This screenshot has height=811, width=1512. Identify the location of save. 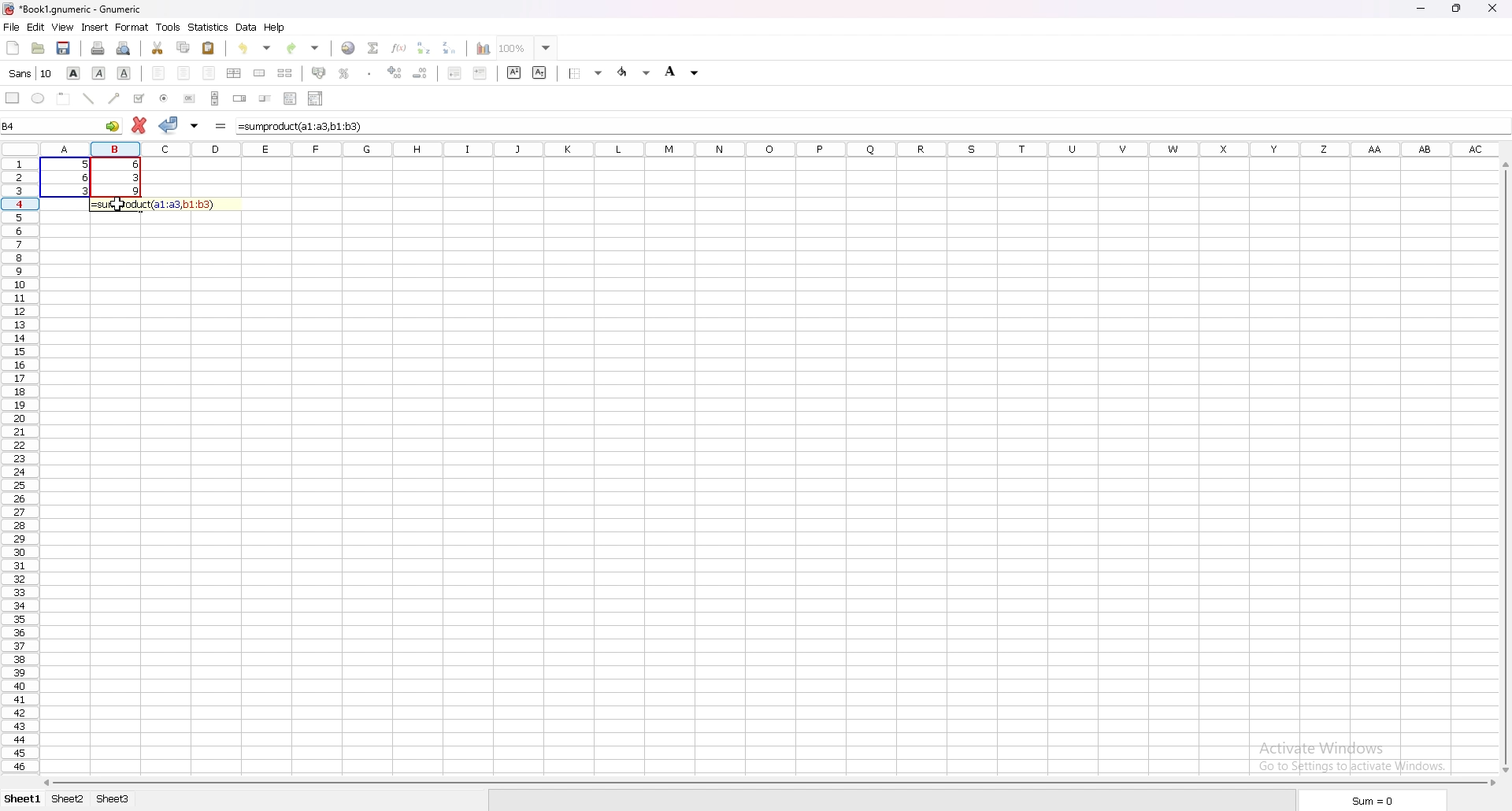
(65, 49).